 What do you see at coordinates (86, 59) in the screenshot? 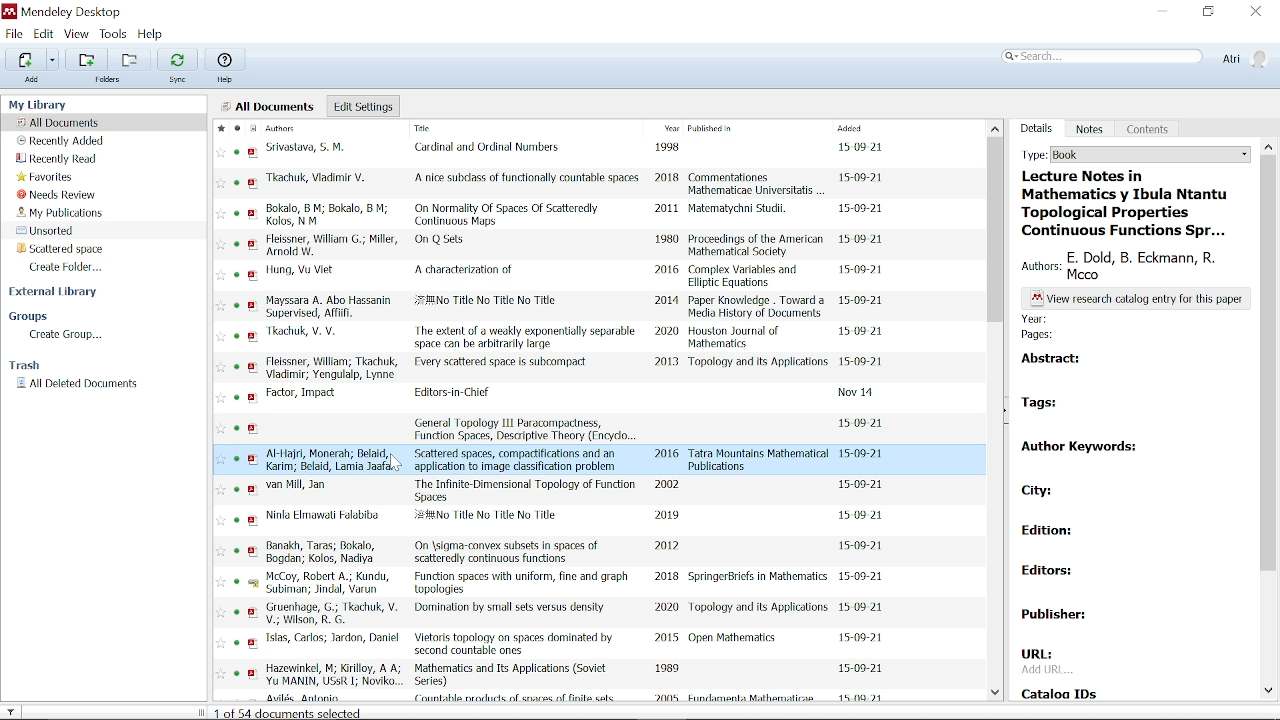
I see `Add folder` at bounding box center [86, 59].